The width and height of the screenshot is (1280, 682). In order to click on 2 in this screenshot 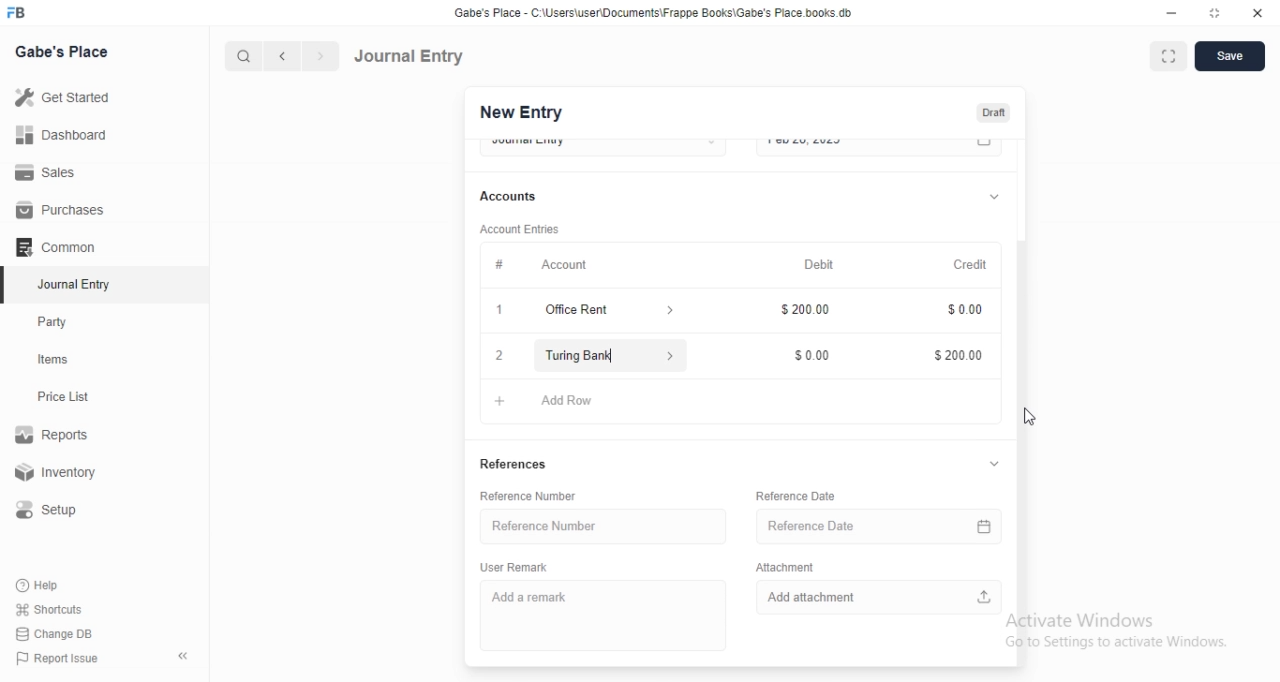, I will do `click(496, 356)`.